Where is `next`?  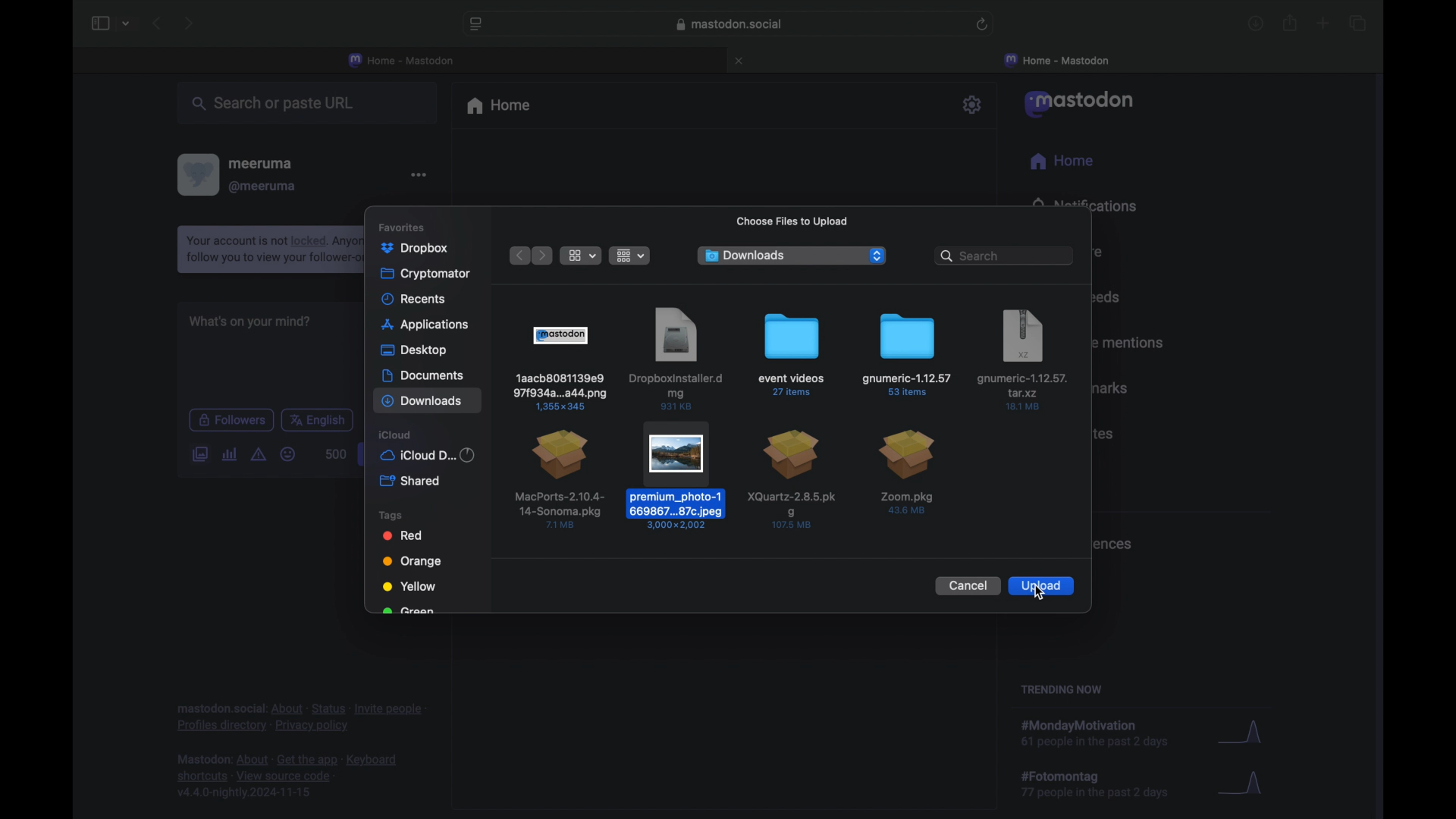 next is located at coordinates (543, 256).